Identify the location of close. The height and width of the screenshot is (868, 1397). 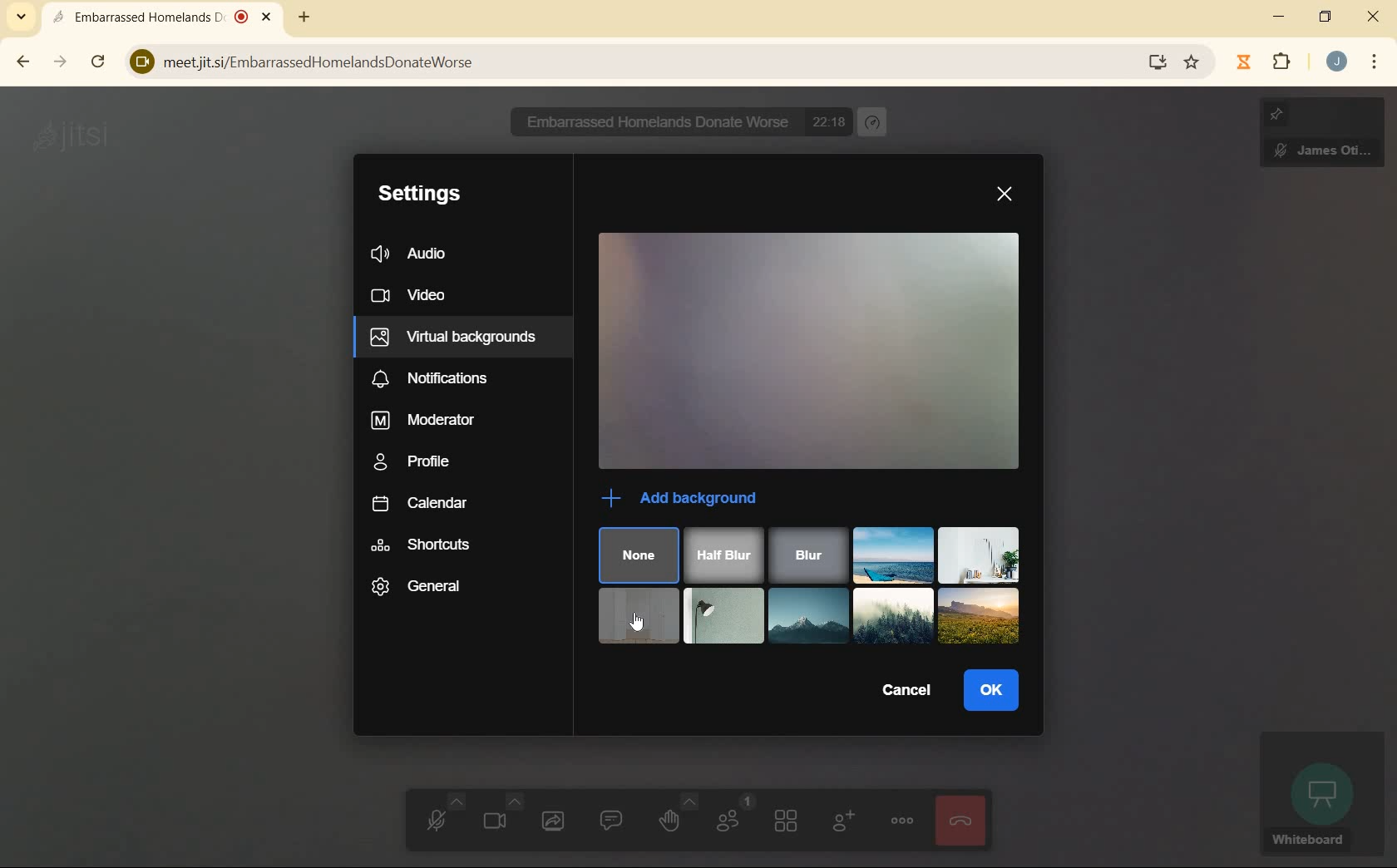
(1008, 195).